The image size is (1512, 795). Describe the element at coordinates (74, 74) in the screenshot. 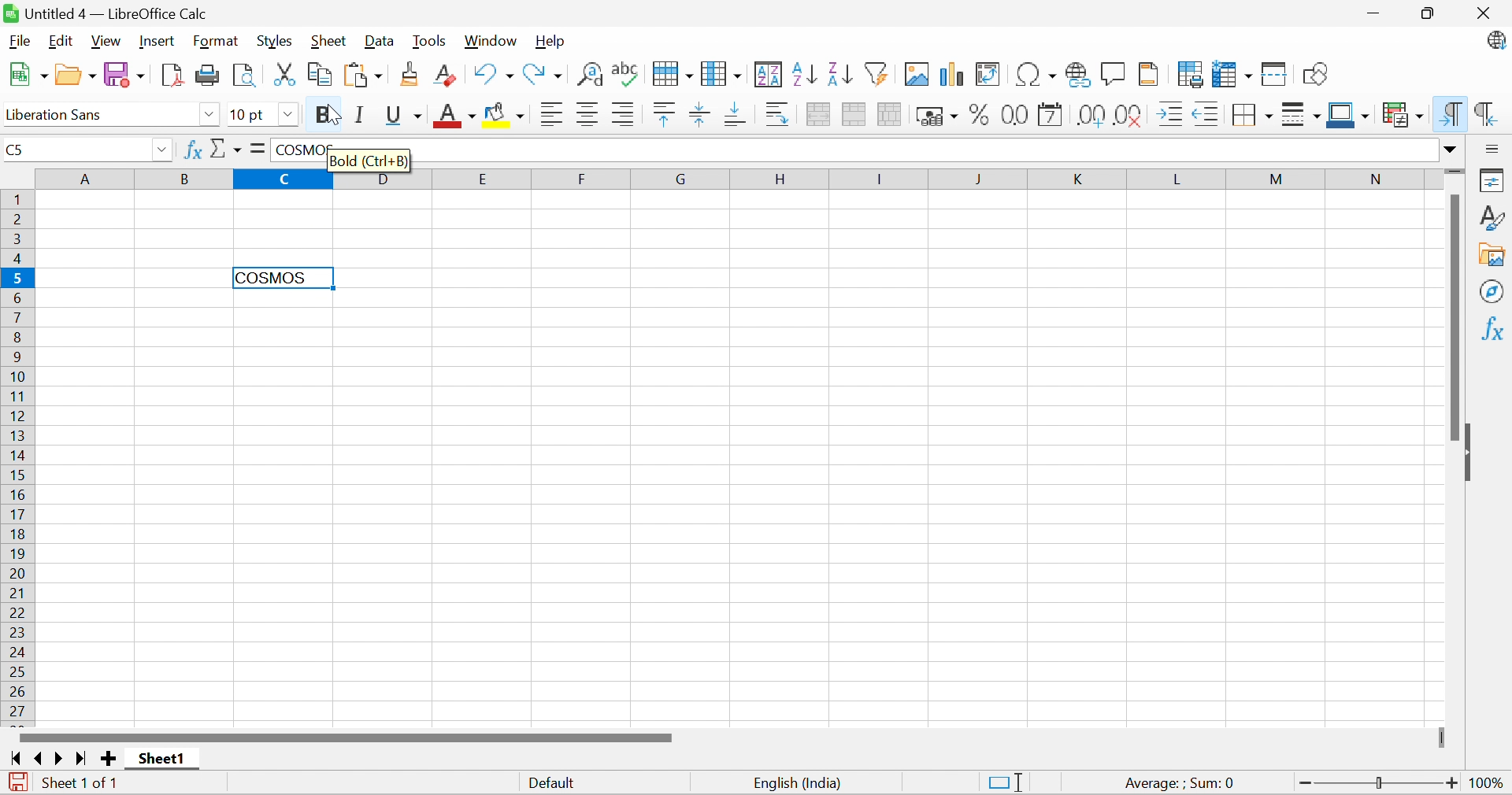

I see `Open` at that location.